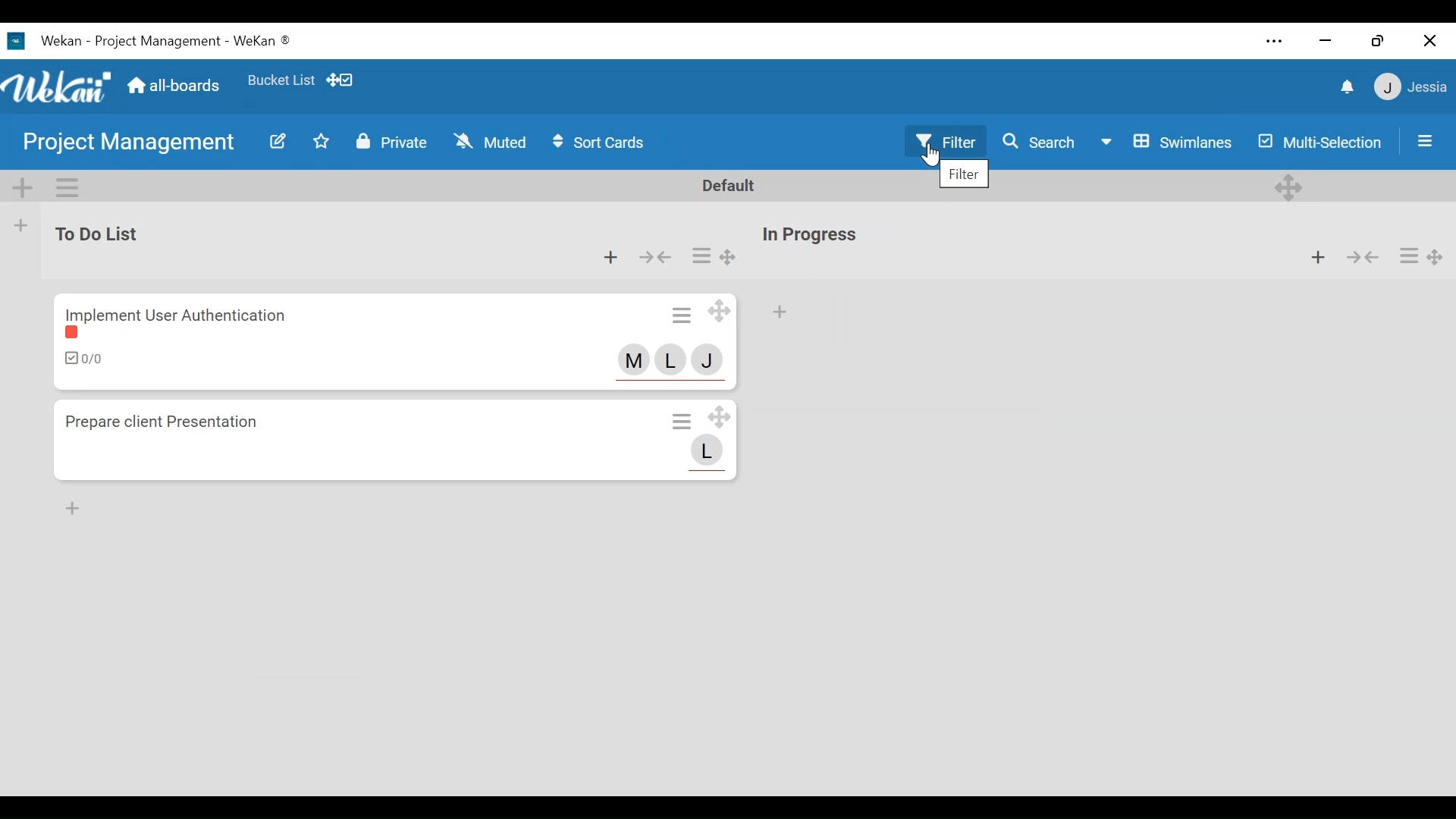 Image resolution: width=1456 pixels, height=819 pixels. Describe the element at coordinates (1168, 143) in the screenshot. I see `Board View swimlanes` at that location.